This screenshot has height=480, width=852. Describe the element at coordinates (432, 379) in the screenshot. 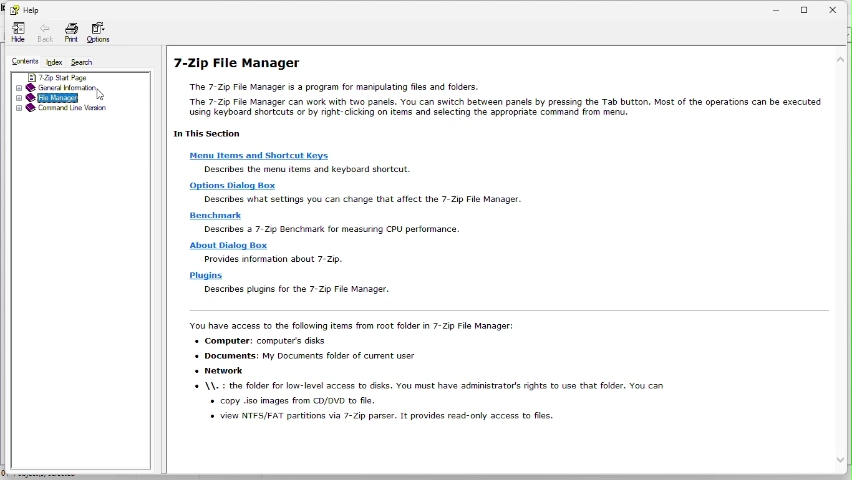

I see `You have access to the folowing items fom root folder in 7-2p File Manager:

+ Computer: compurers asks

« Documents: My Documents folder of cure user

« Watwork

+ \\. th flr fo oral acca te Sek. You mt hve SSRIS FAS us Tha for Yo C30
+ copy iso mages fom CO/OVD 1 fe.
+ View NIFSIFAT partitions wa 7-Zip parser t provides reson access to fe.` at that location.